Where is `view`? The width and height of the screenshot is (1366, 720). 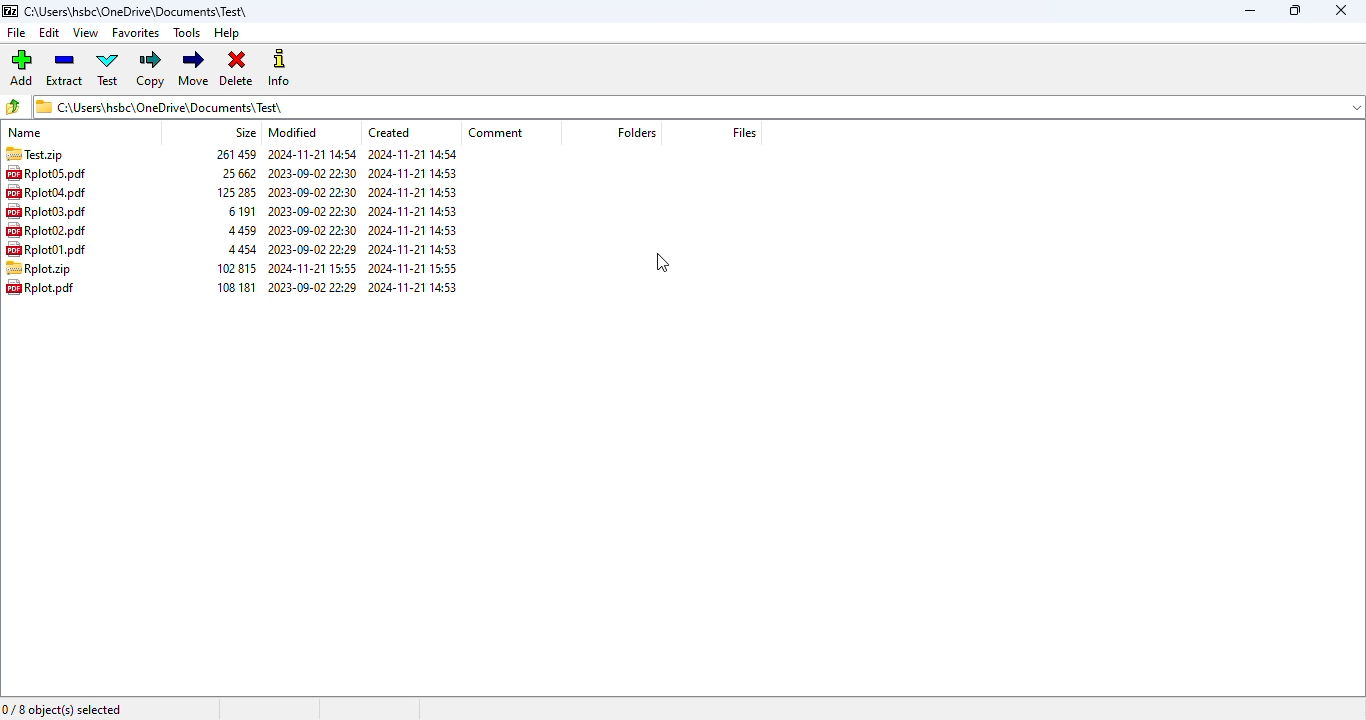
view is located at coordinates (86, 33).